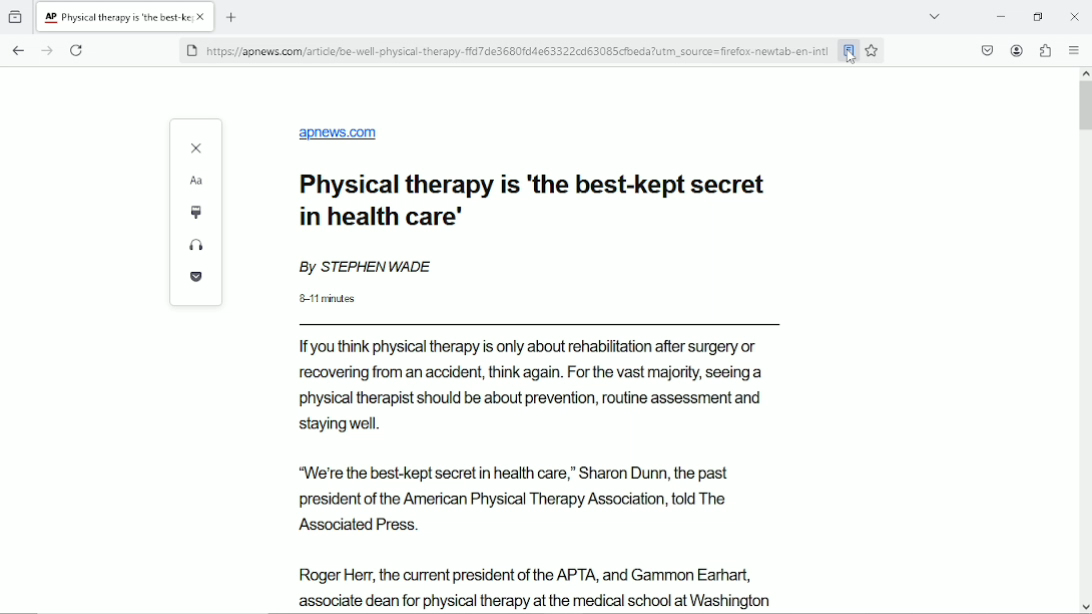 This screenshot has width=1092, height=614. Describe the element at coordinates (850, 58) in the screenshot. I see `cursor` at that location.